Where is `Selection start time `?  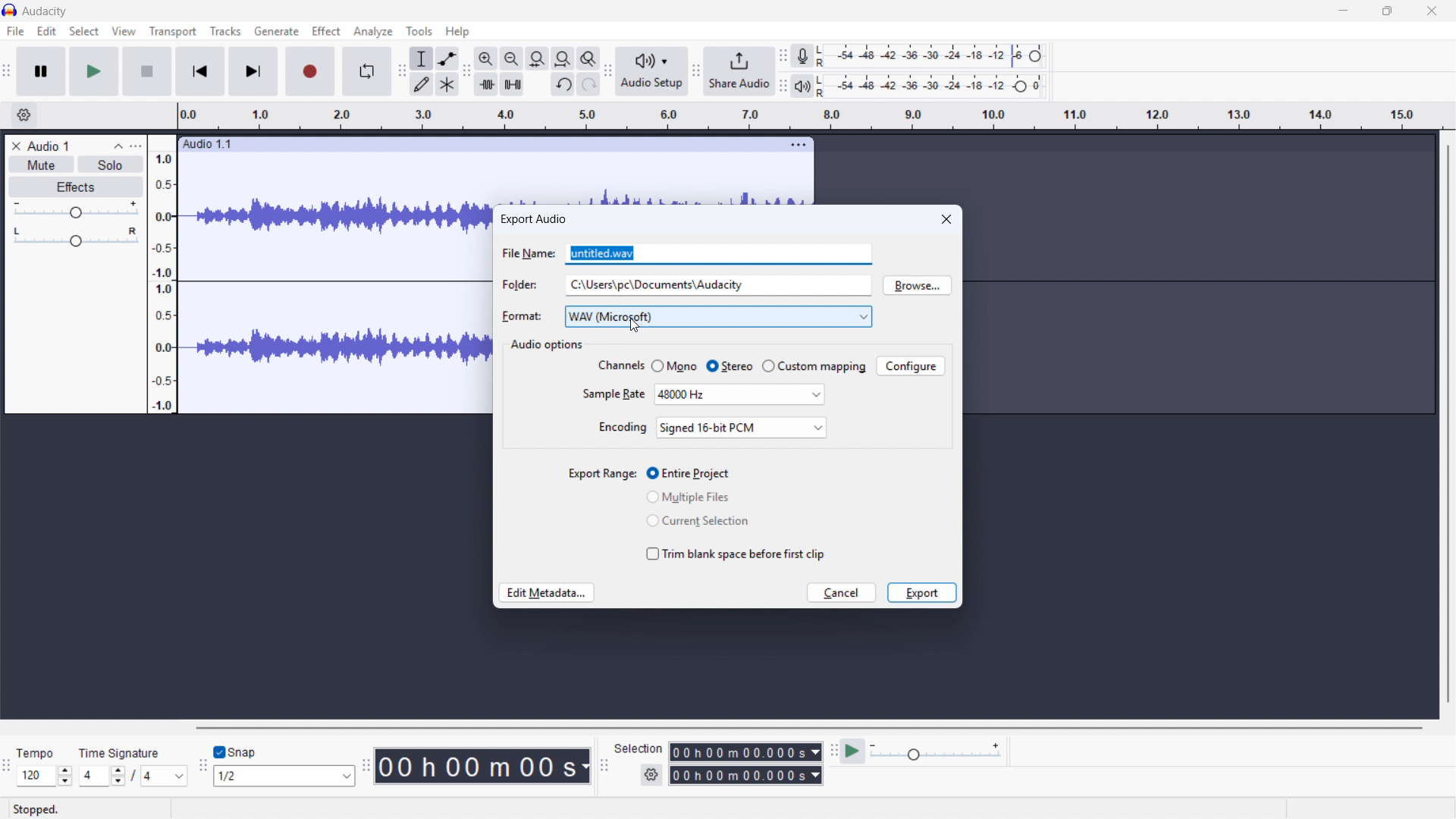
Selection start time  is located at coordinates (745, 752).